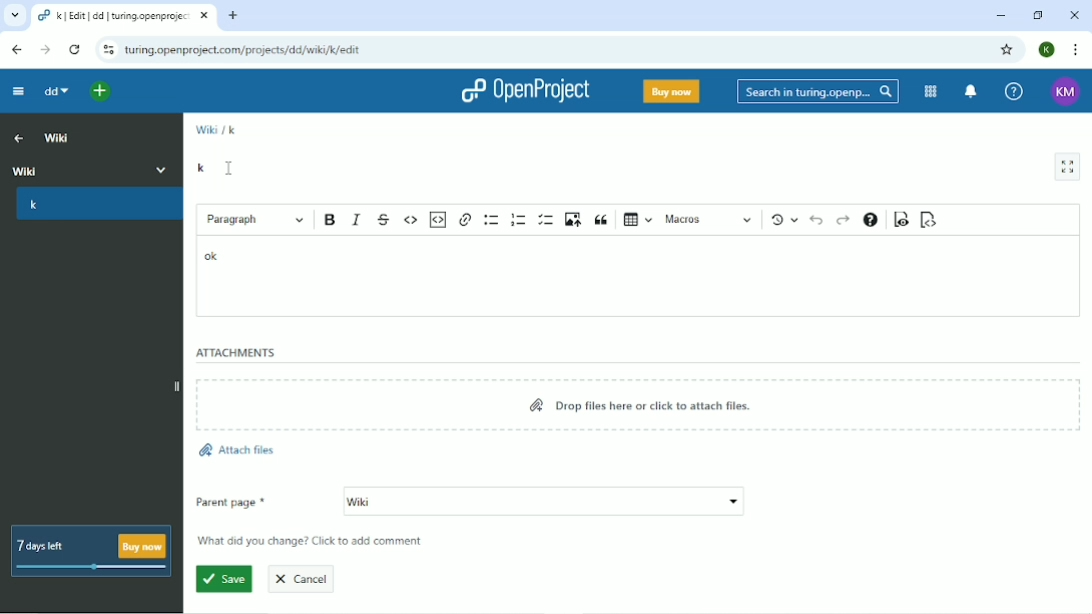  Describe the element at coordinates (76, 49) in the screenshot. I see `Reload this page` at that location.